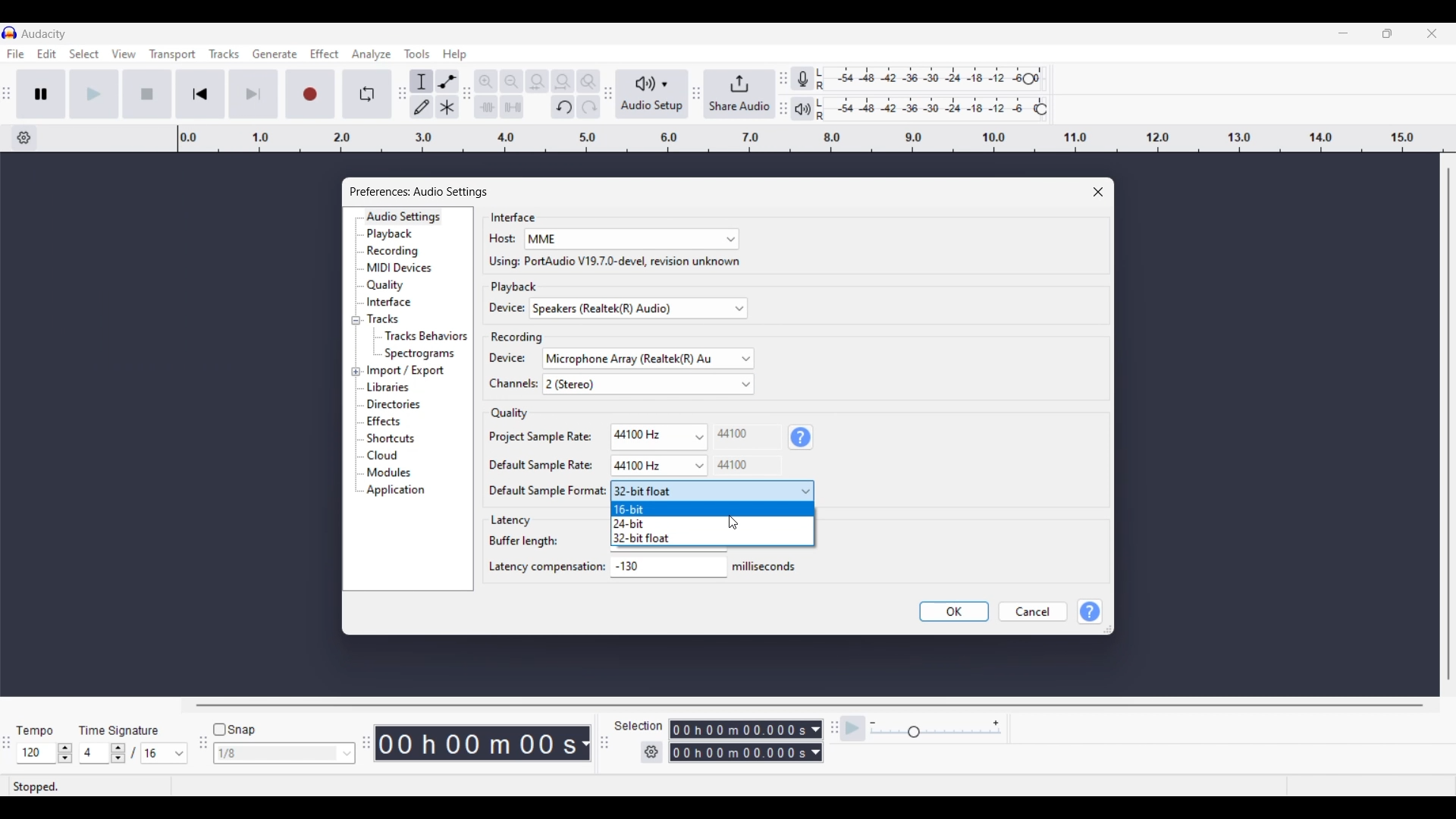 This screenshot has width=1456, height=819. I want to click on View menu, so click(124, 54).